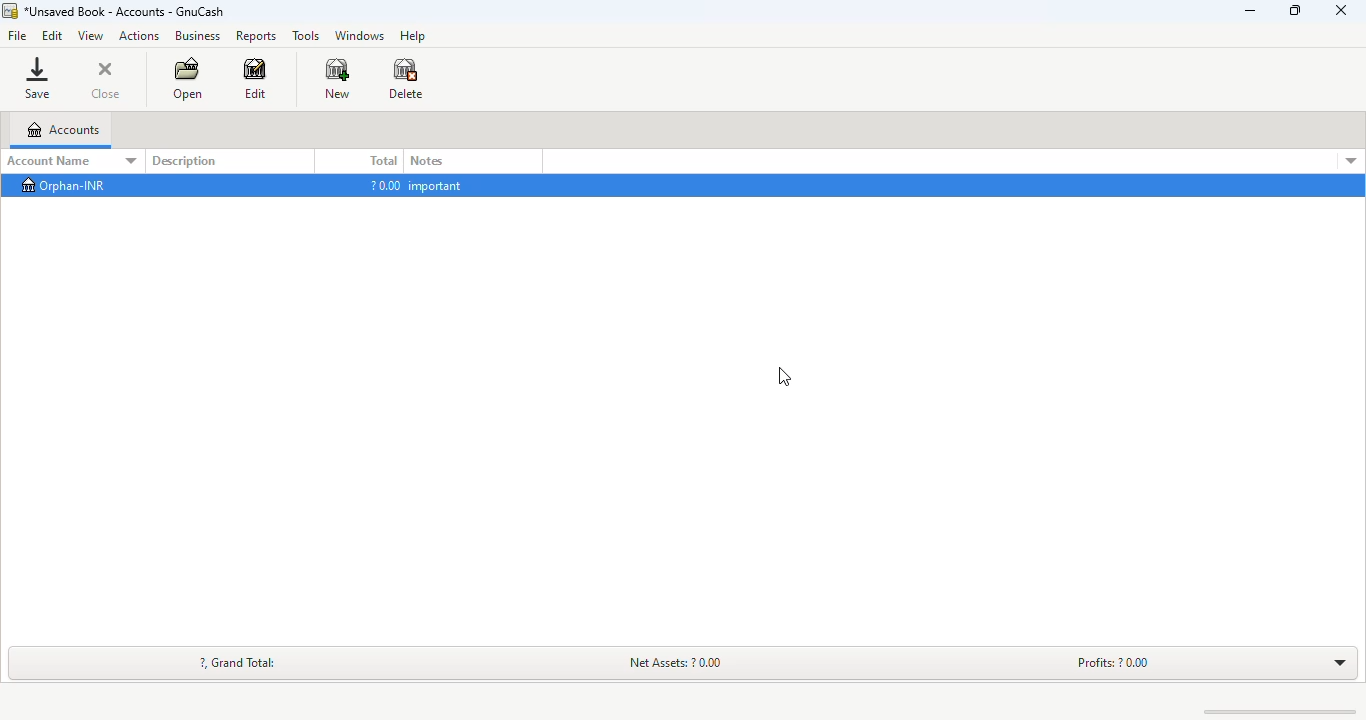  What do you see at coordinates (255, 36) in the screenshot?
I see `reports` at bounding box center [255, 36].